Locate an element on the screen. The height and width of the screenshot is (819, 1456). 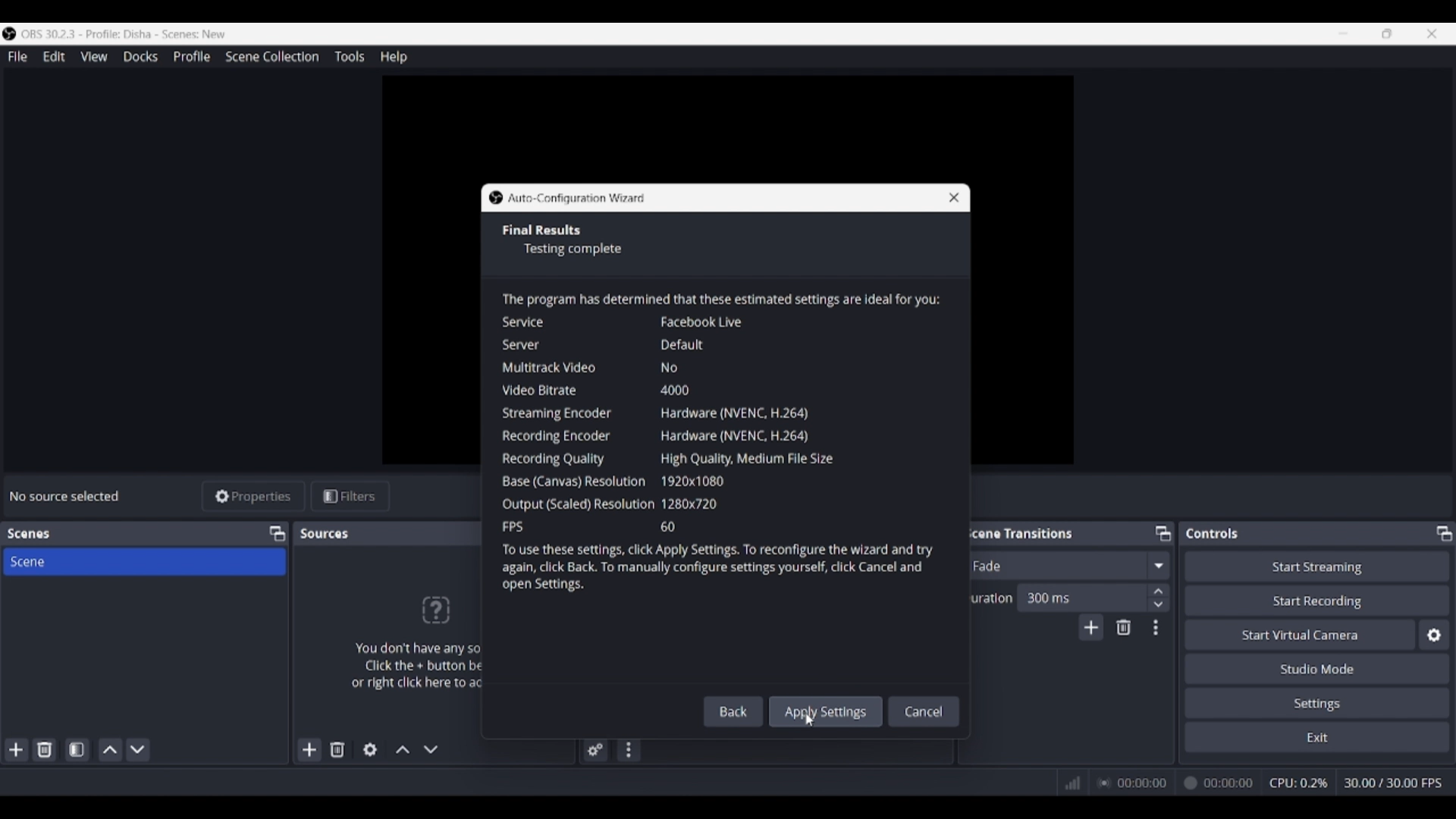
Start streaming is located at coordinates (1318, 566).